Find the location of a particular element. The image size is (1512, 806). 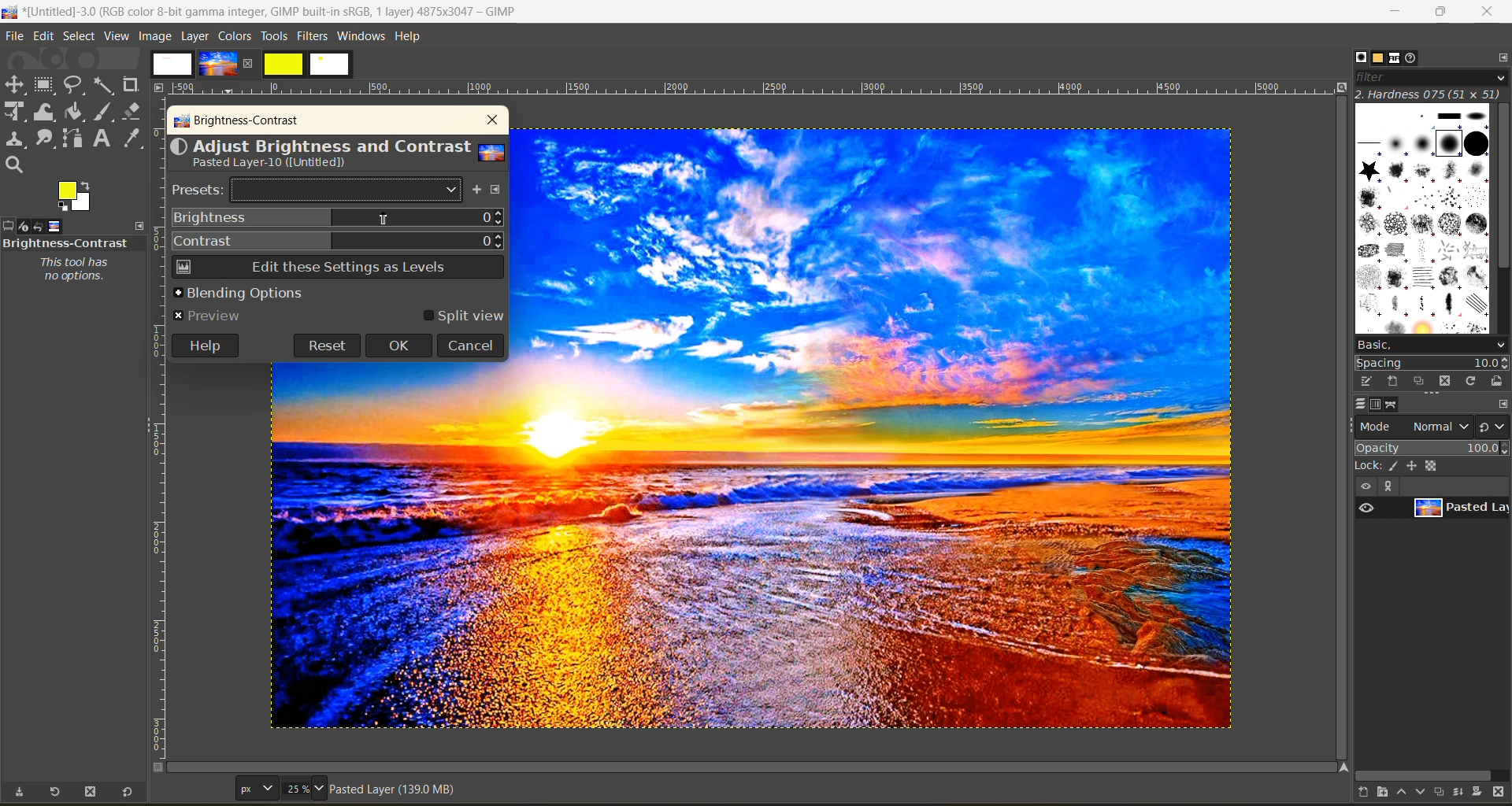

mode is located at coordinates (1414, 426).